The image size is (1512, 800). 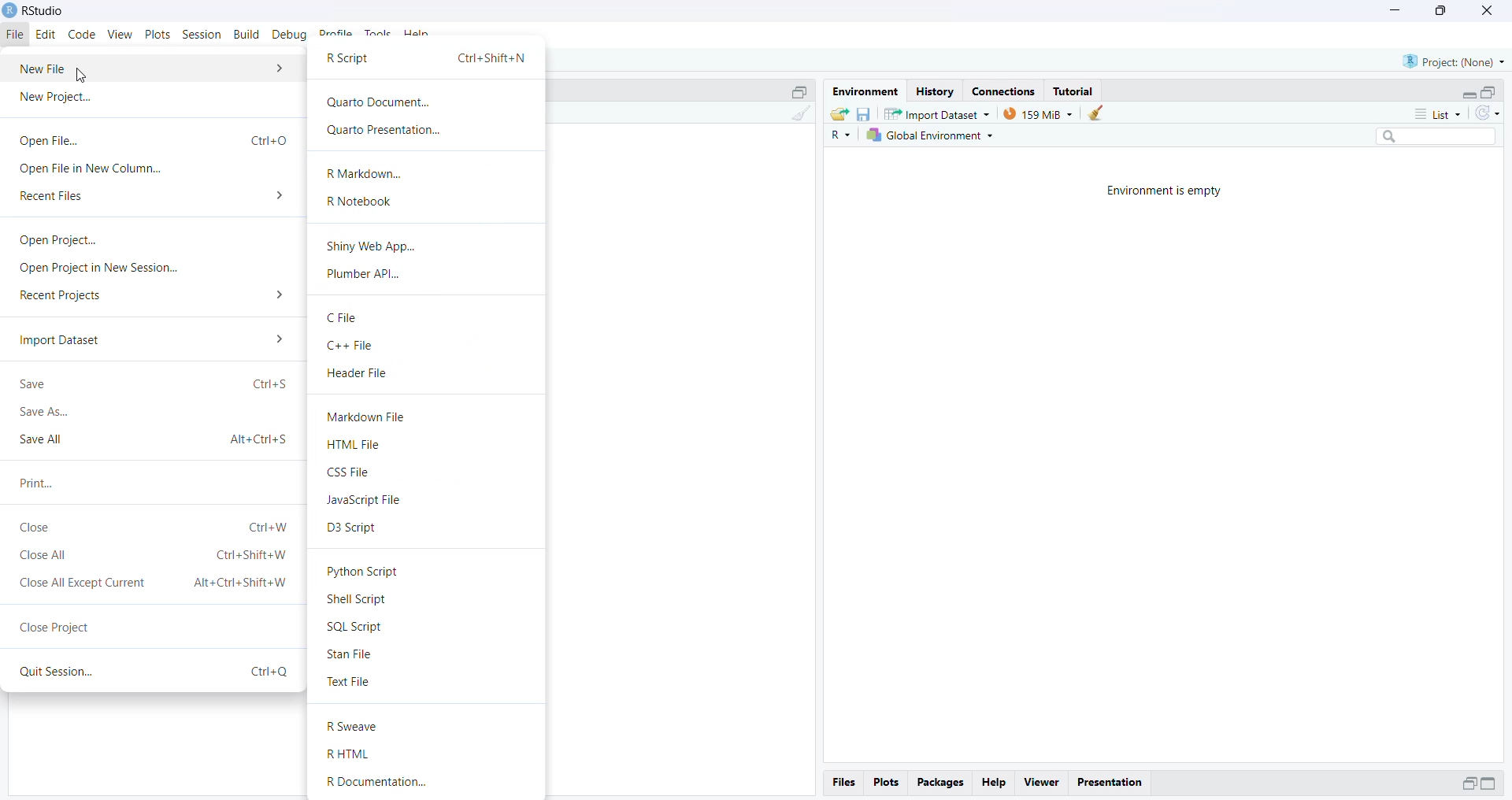 What do you see at coordinates (35, 10) in the screenshot?
I see `Rstudio` at bounding box center [35, 10].